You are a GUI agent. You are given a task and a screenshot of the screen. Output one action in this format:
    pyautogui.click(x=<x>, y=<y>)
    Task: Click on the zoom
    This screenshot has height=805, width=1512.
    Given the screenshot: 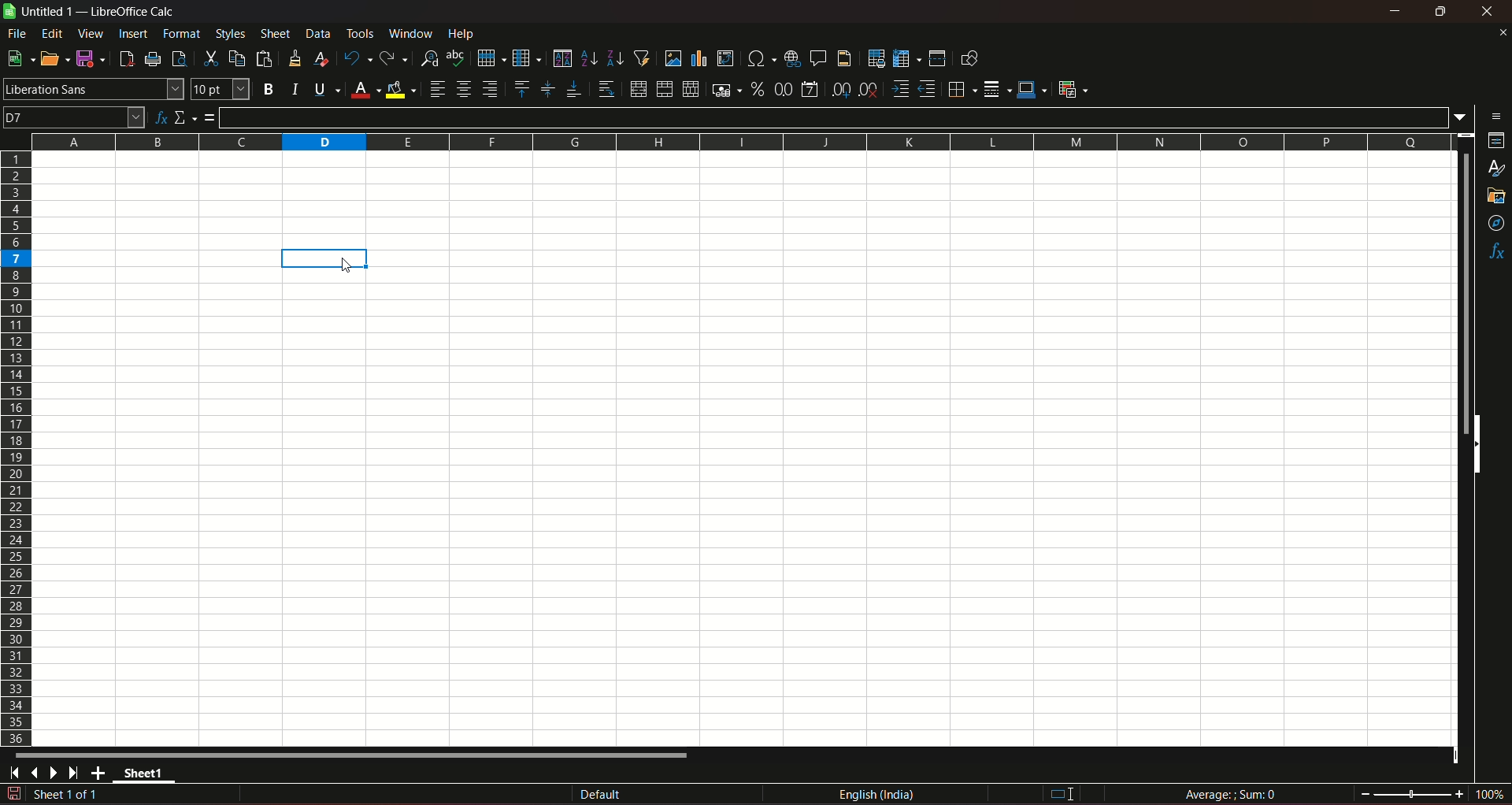 What is the action you would take?
    pyautogui.click(x=1432, y=792)
    